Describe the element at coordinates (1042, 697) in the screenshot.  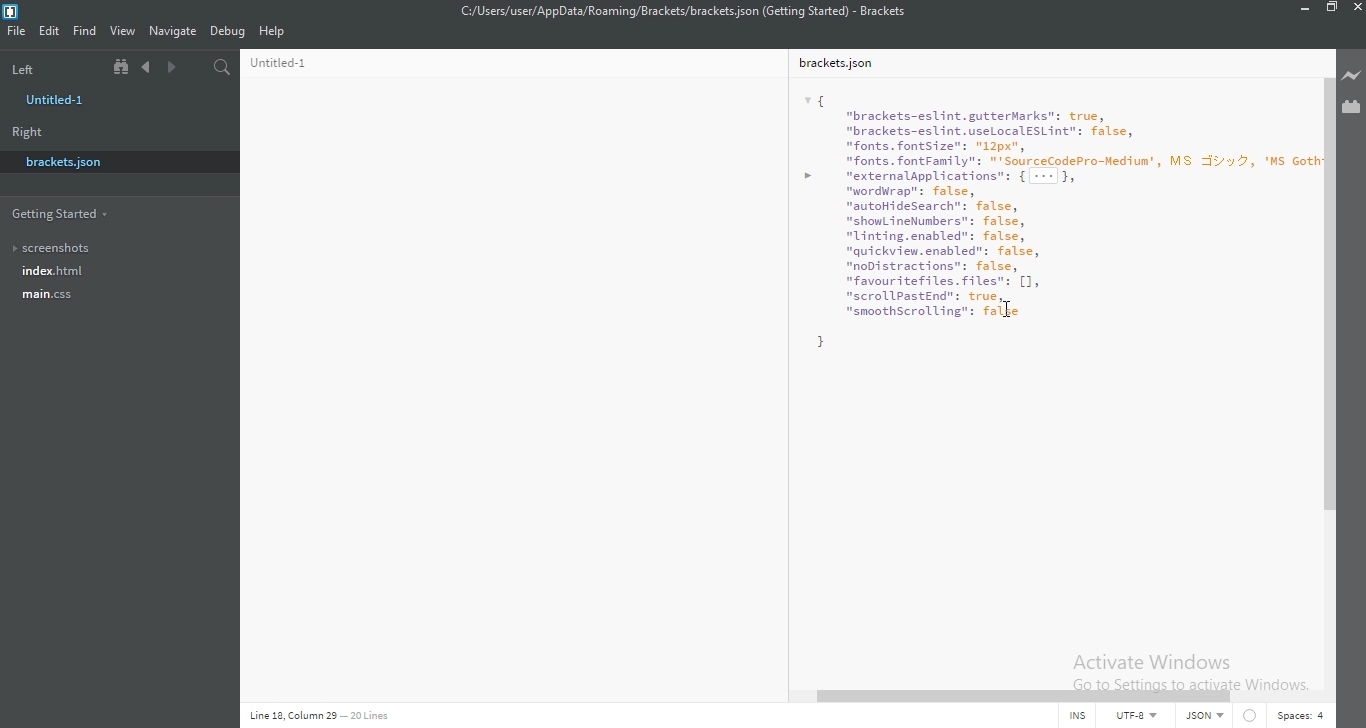
I see `scroll bar` at that location.